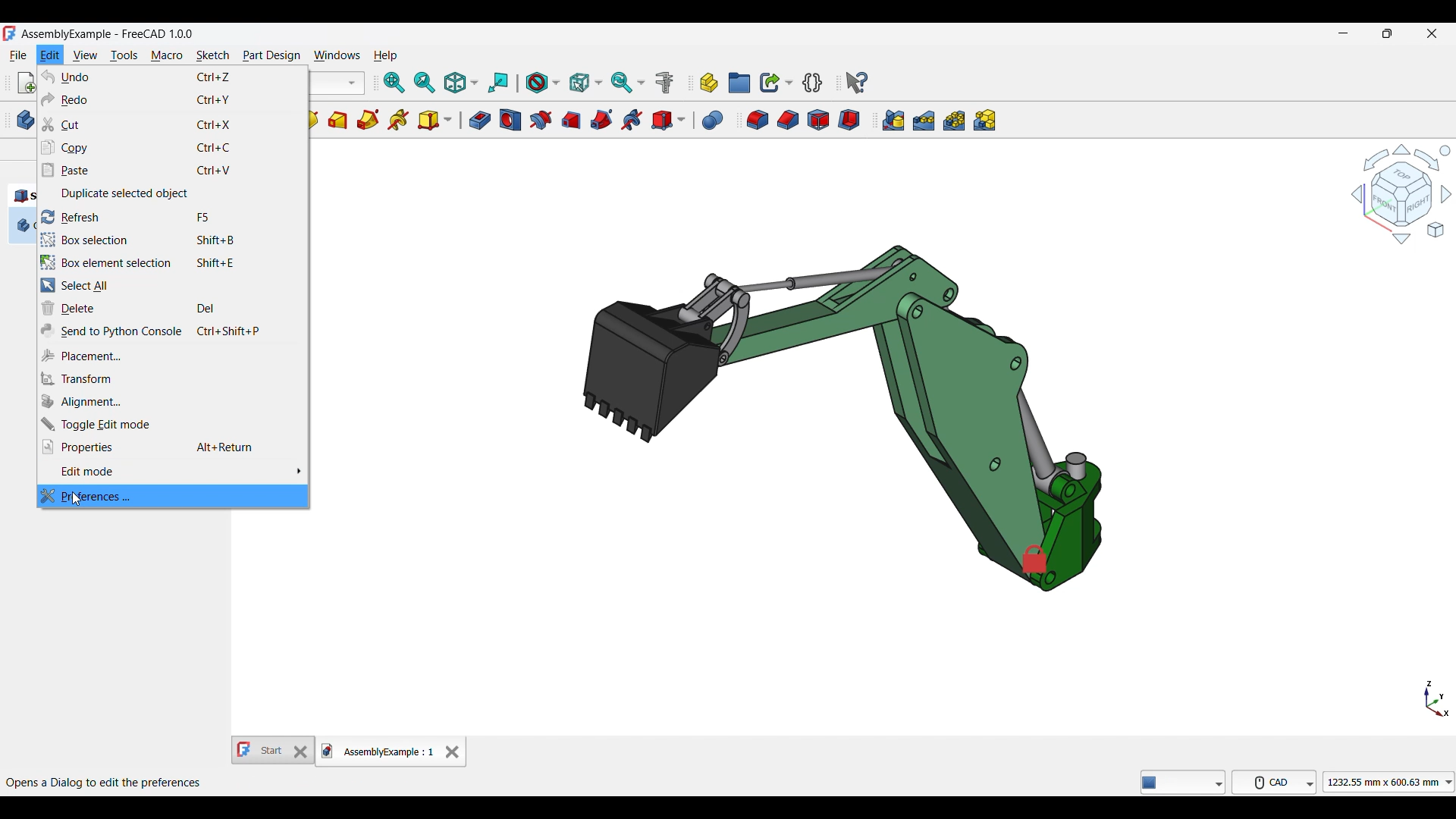 Image resolution: width=1456 pixels, height=819 pixels. What do you see at coordinates (452, 752) in the screenshot?
I see `Close tab` at bounding box center [452, 752].